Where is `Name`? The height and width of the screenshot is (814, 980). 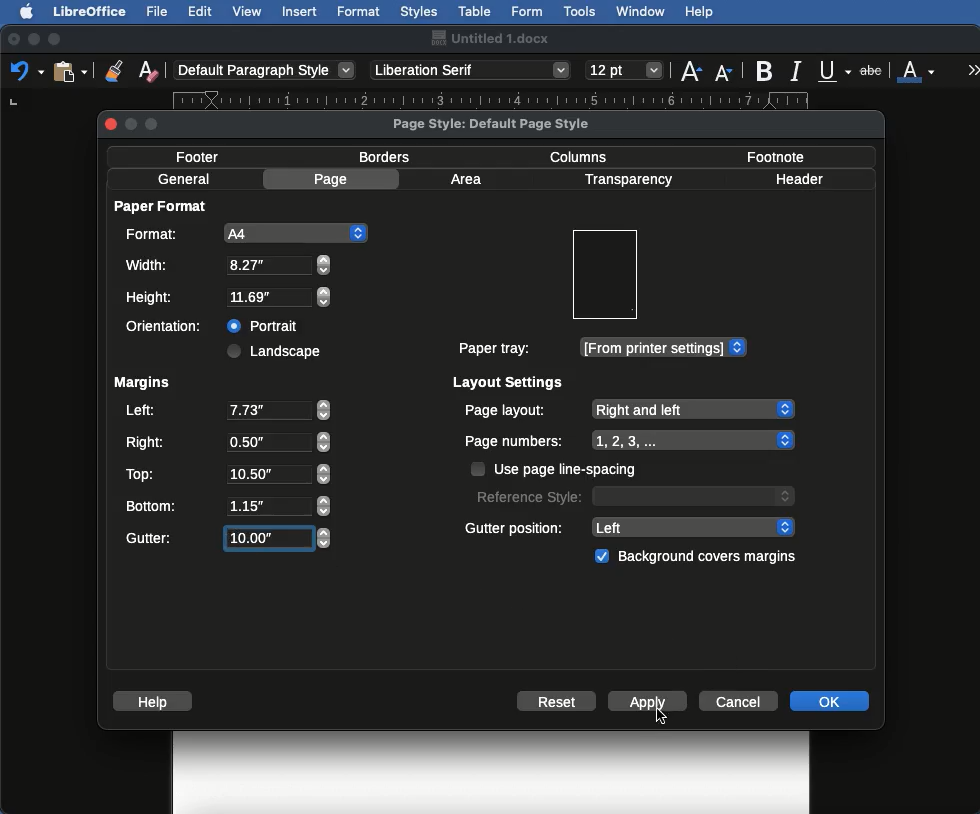 Name is located at coordinates (489, 38).